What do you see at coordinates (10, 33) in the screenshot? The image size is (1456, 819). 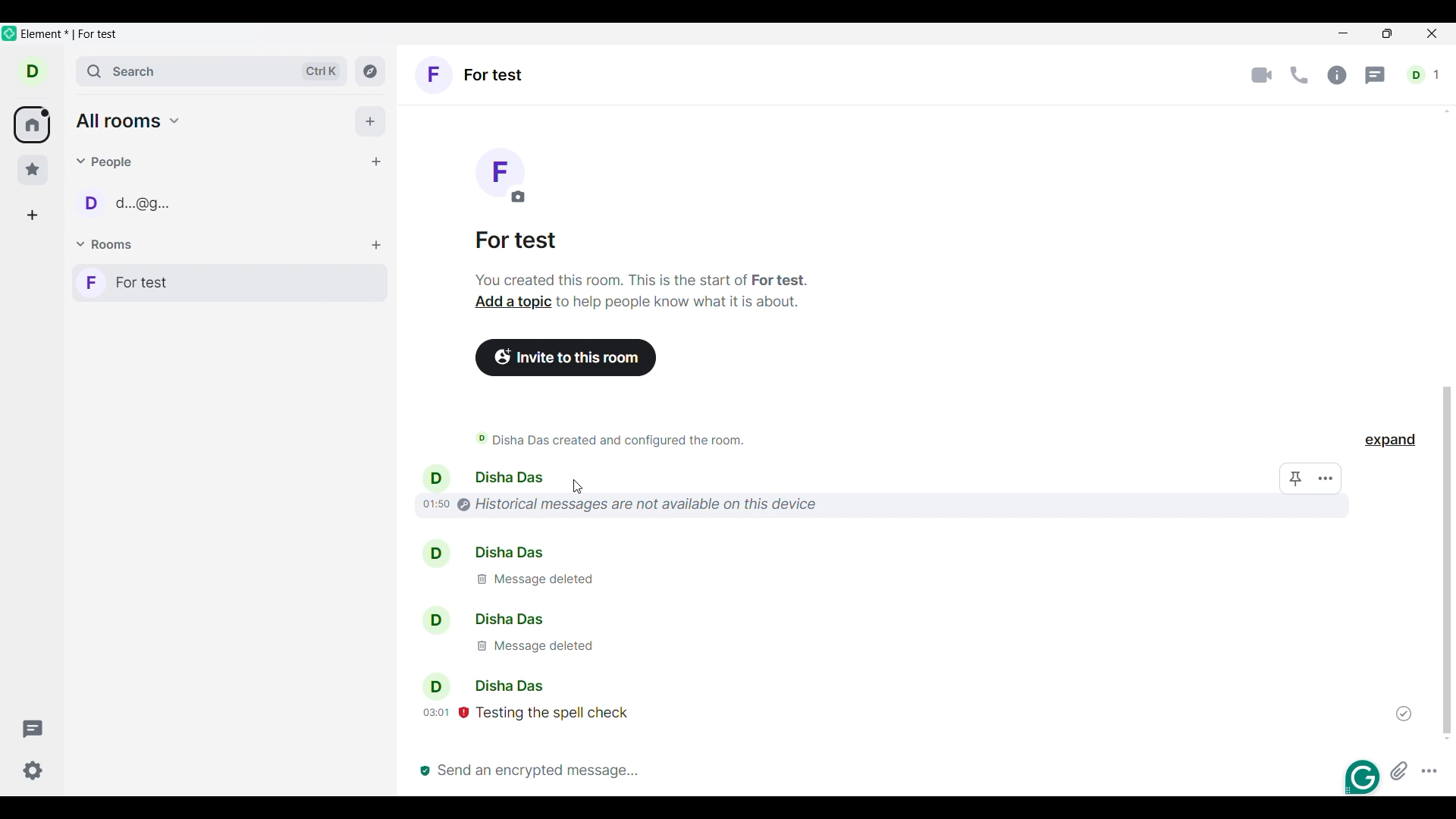 I see `Software logo` at bounding box center [10, 33].